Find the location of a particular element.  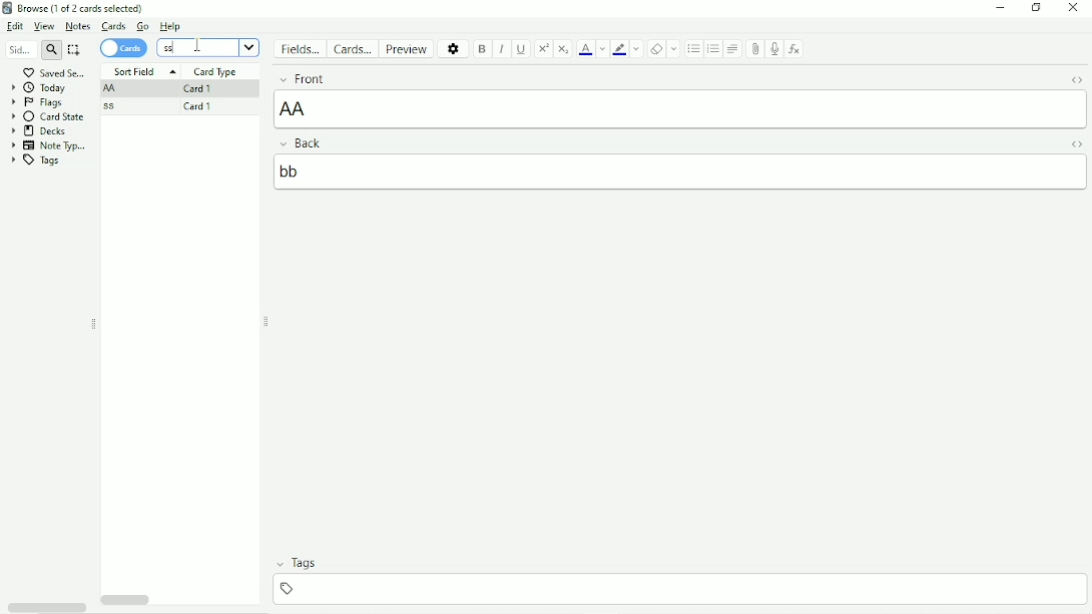

Equations is located at coordinates (795, 48).